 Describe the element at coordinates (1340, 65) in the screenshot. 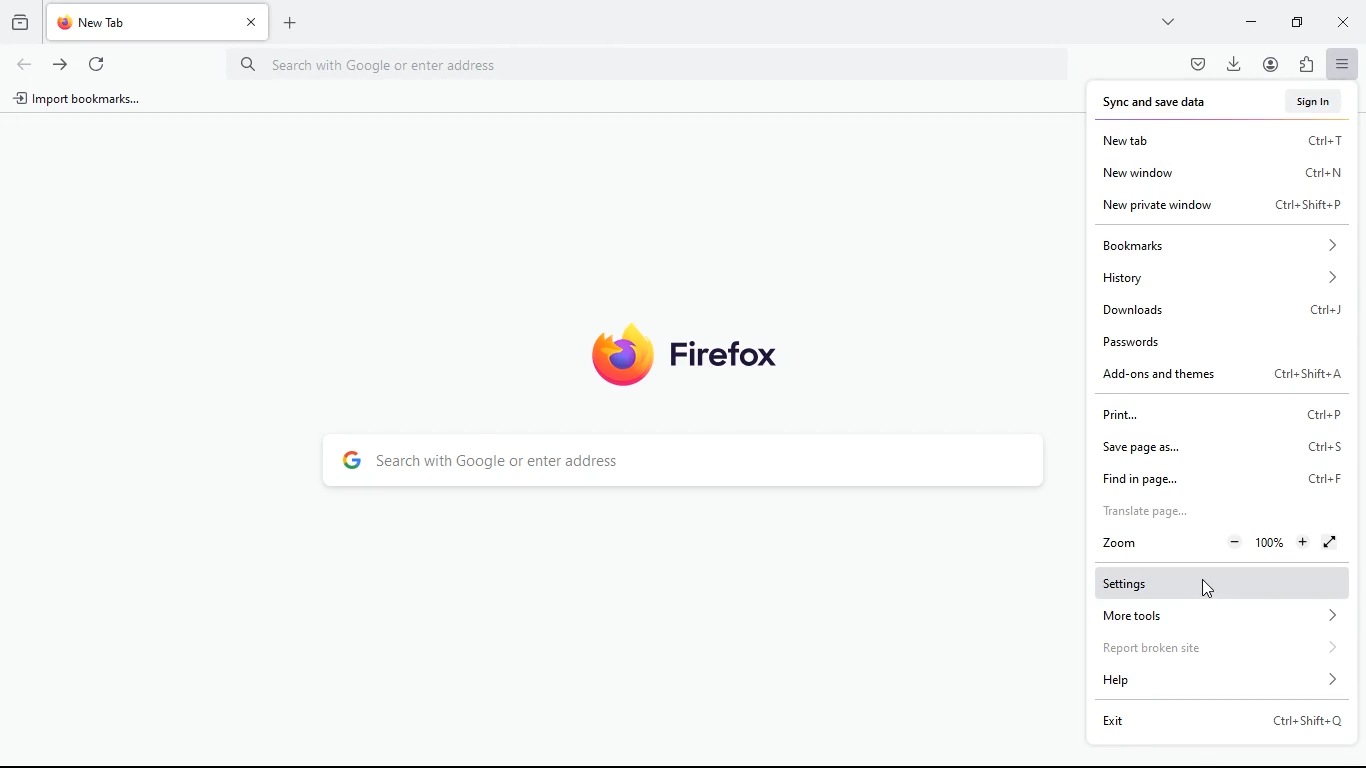

I see `menu` at that location.